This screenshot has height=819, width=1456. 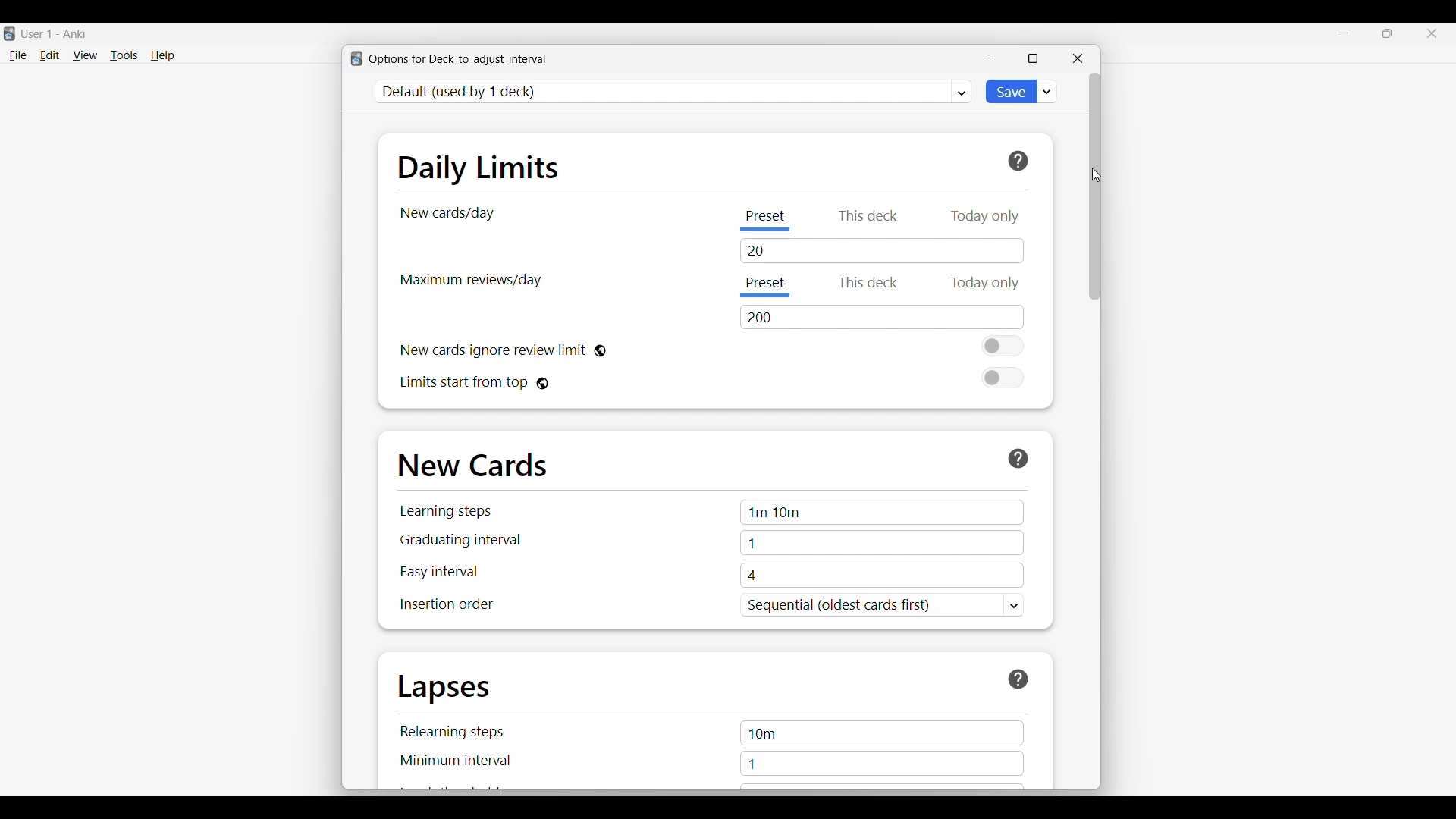 I want to click on Daily Limits, so click(x=479, y=168).